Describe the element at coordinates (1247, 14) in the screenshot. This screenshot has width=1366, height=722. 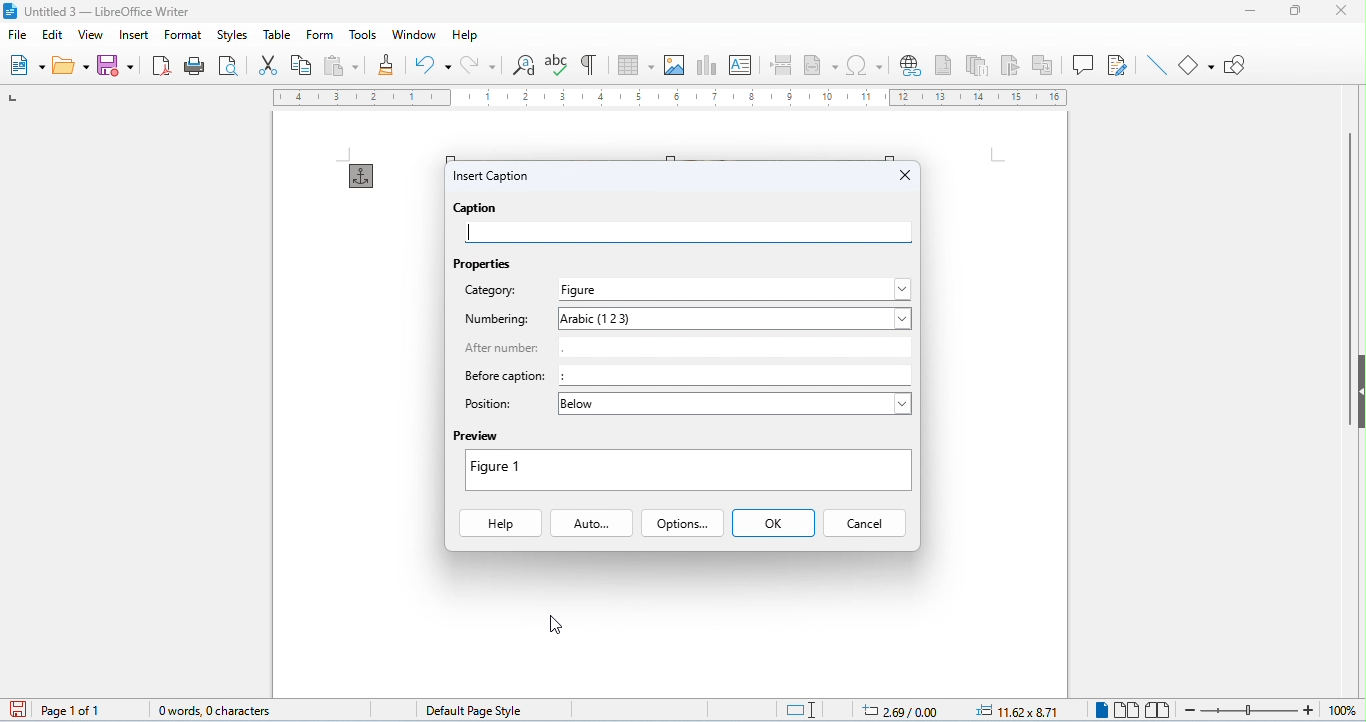
I see `minimize` at that location.